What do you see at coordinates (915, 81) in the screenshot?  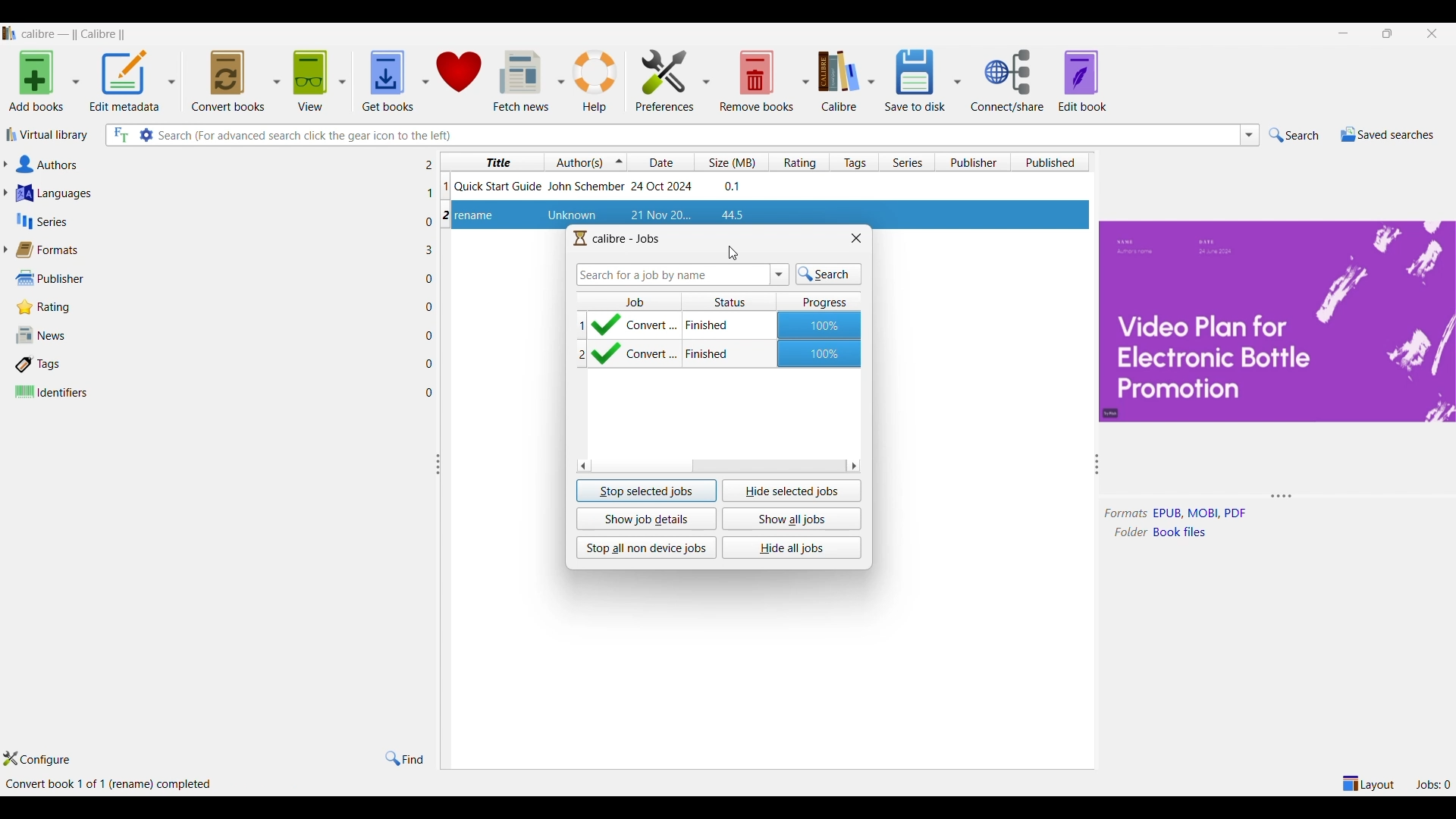 I see `Save to disk` at bounding box center [915, 81].